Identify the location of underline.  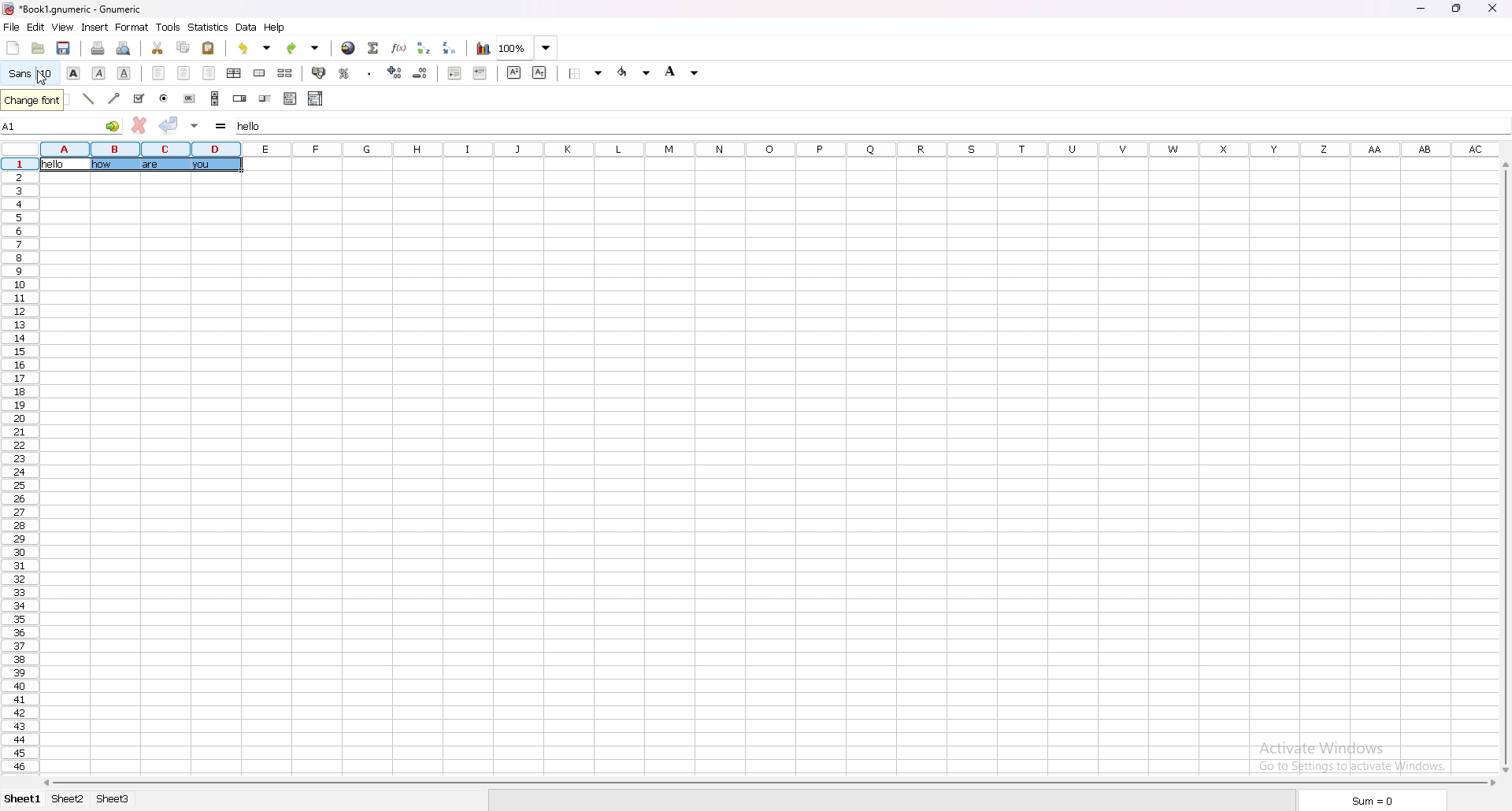
(124, 72).